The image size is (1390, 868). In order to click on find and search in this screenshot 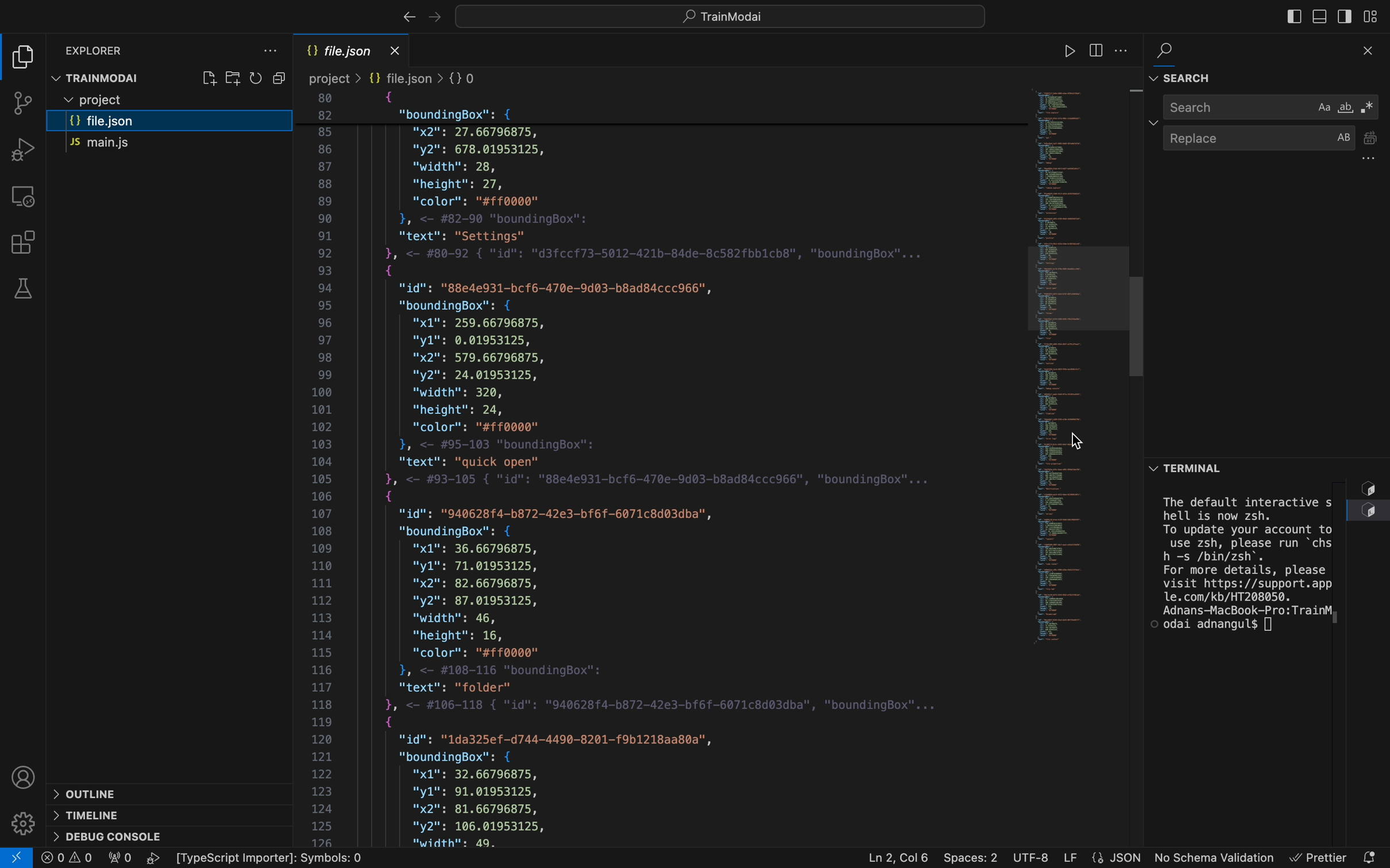, I will do `click(1271, 61)`.